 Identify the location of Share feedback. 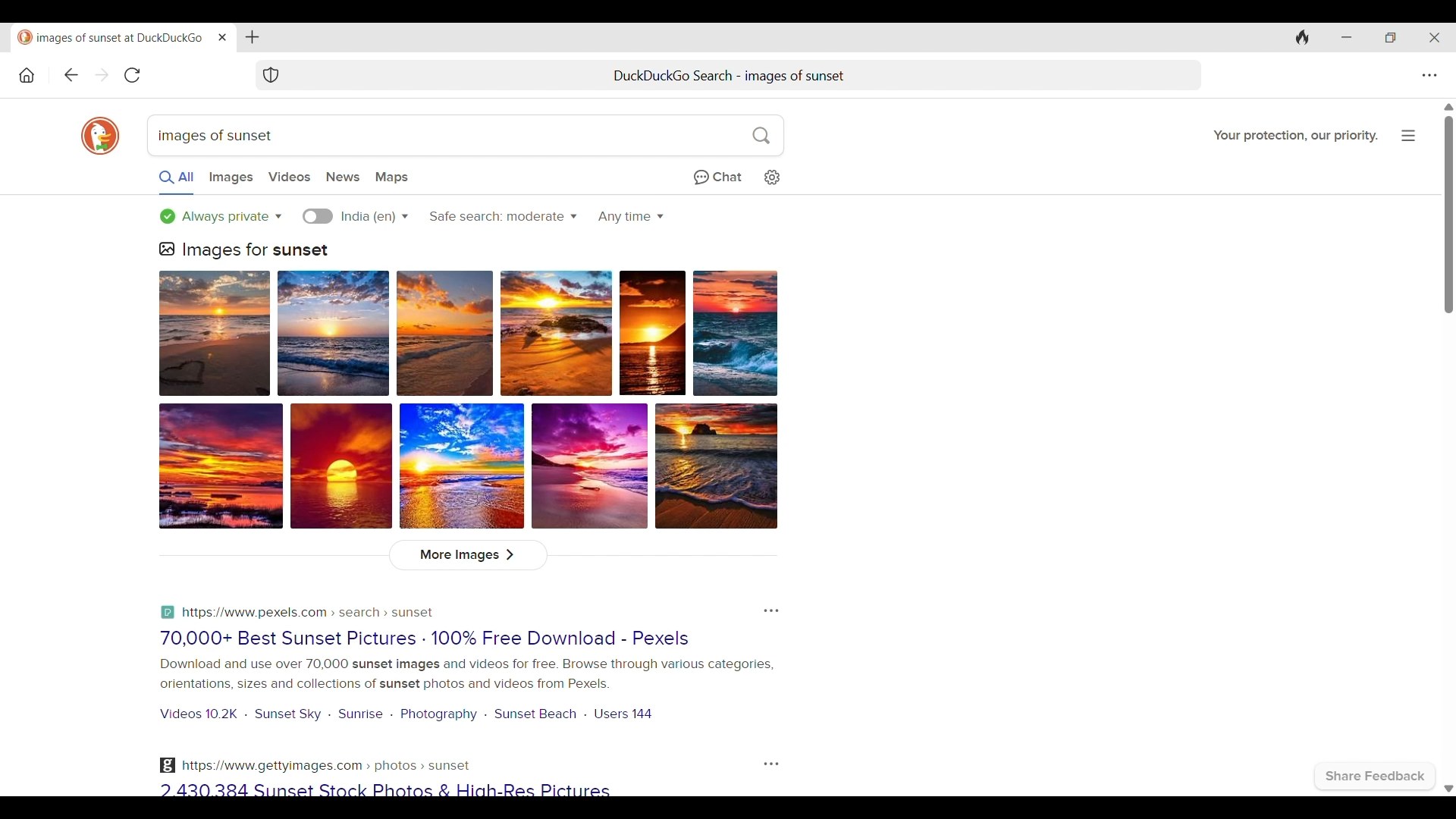
(1376, 777).